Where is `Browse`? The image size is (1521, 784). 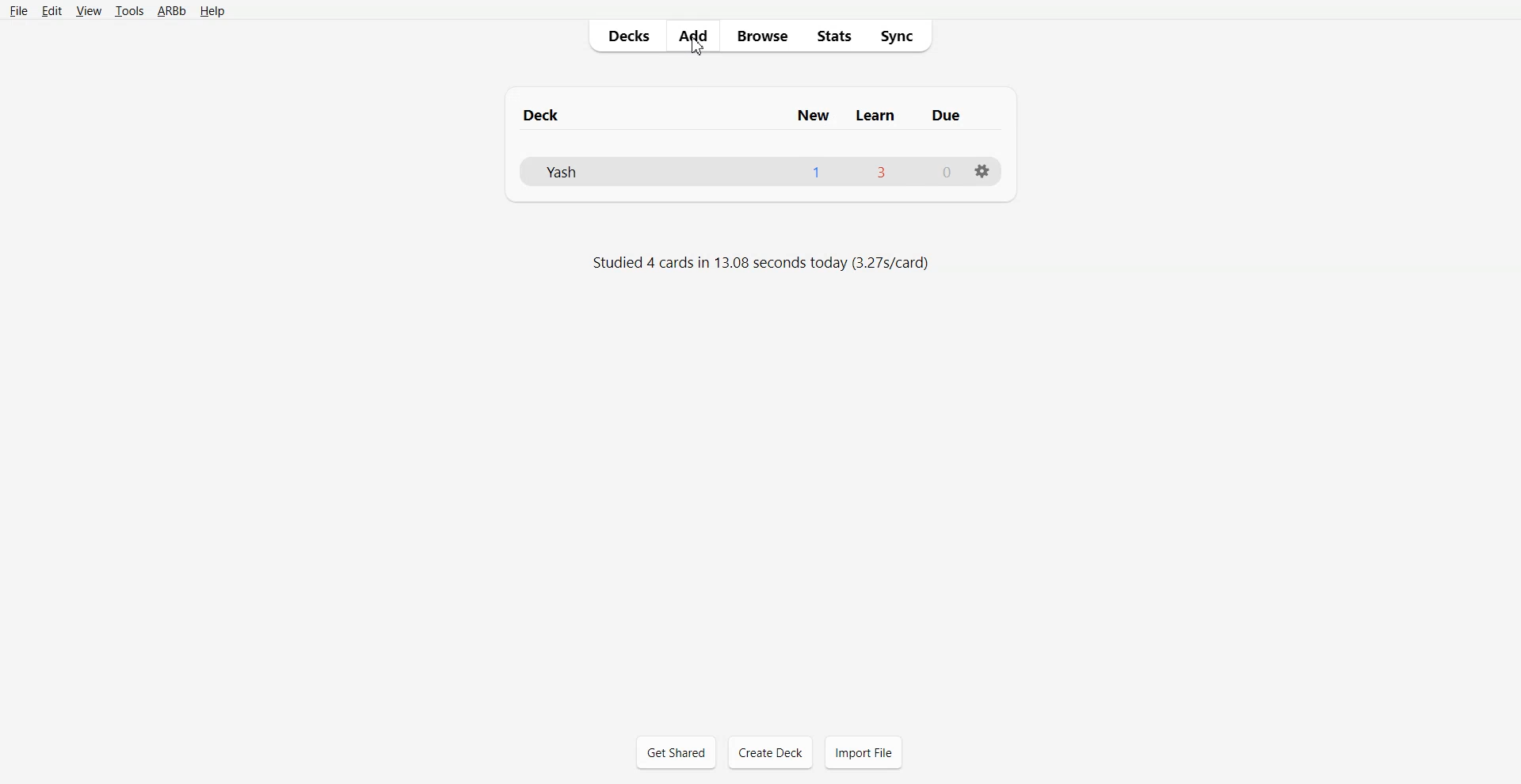
Browse is located at coordinates (761, 36).